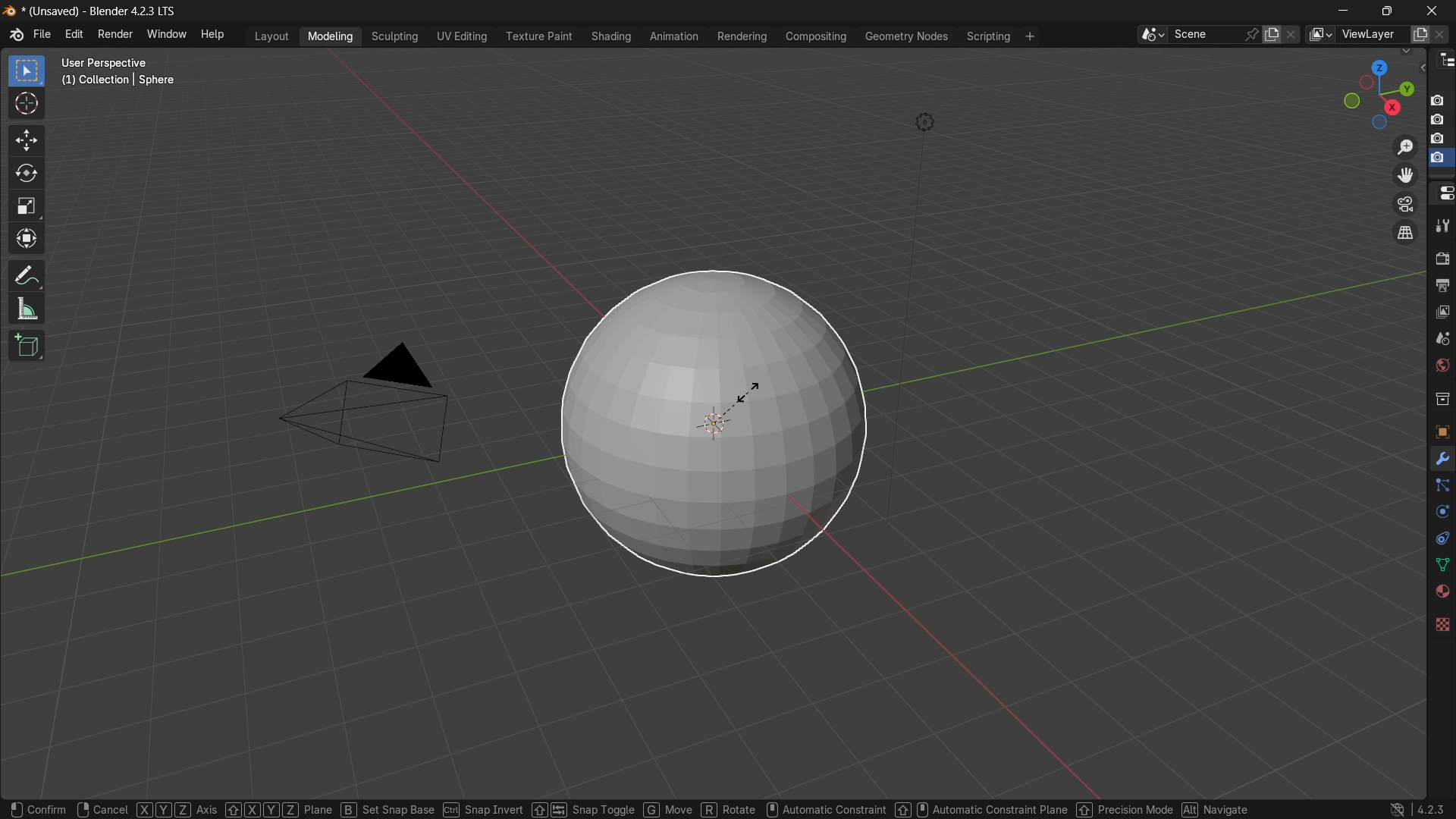 This screenshot has width=1456, height=819. I want to click on outliner, so click(1444, 64).